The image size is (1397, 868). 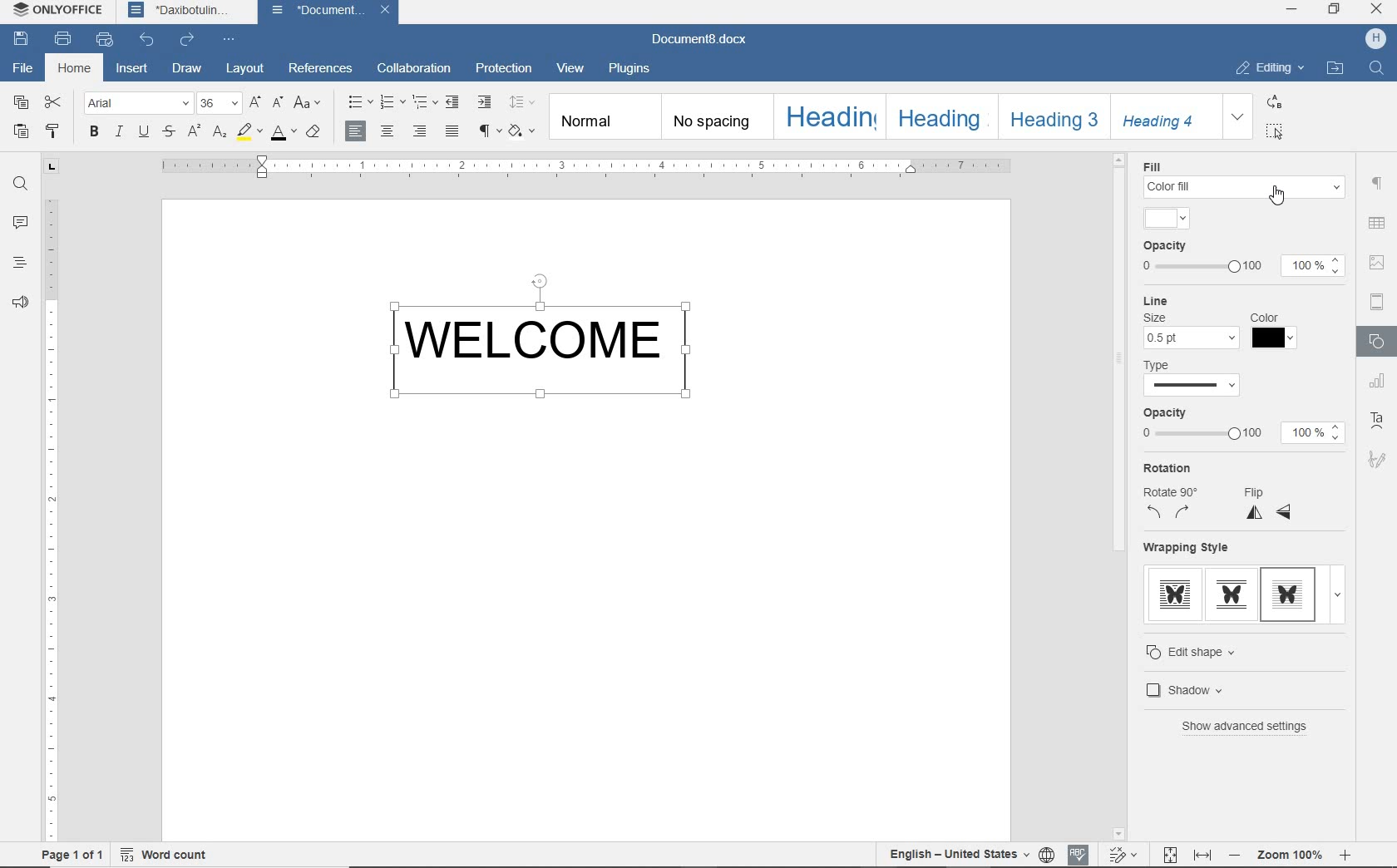 What do you see at coordinates (1204, 856) in the screenshot?
I see `FIT TO WIDTH` at bounding box center [1204, 856].